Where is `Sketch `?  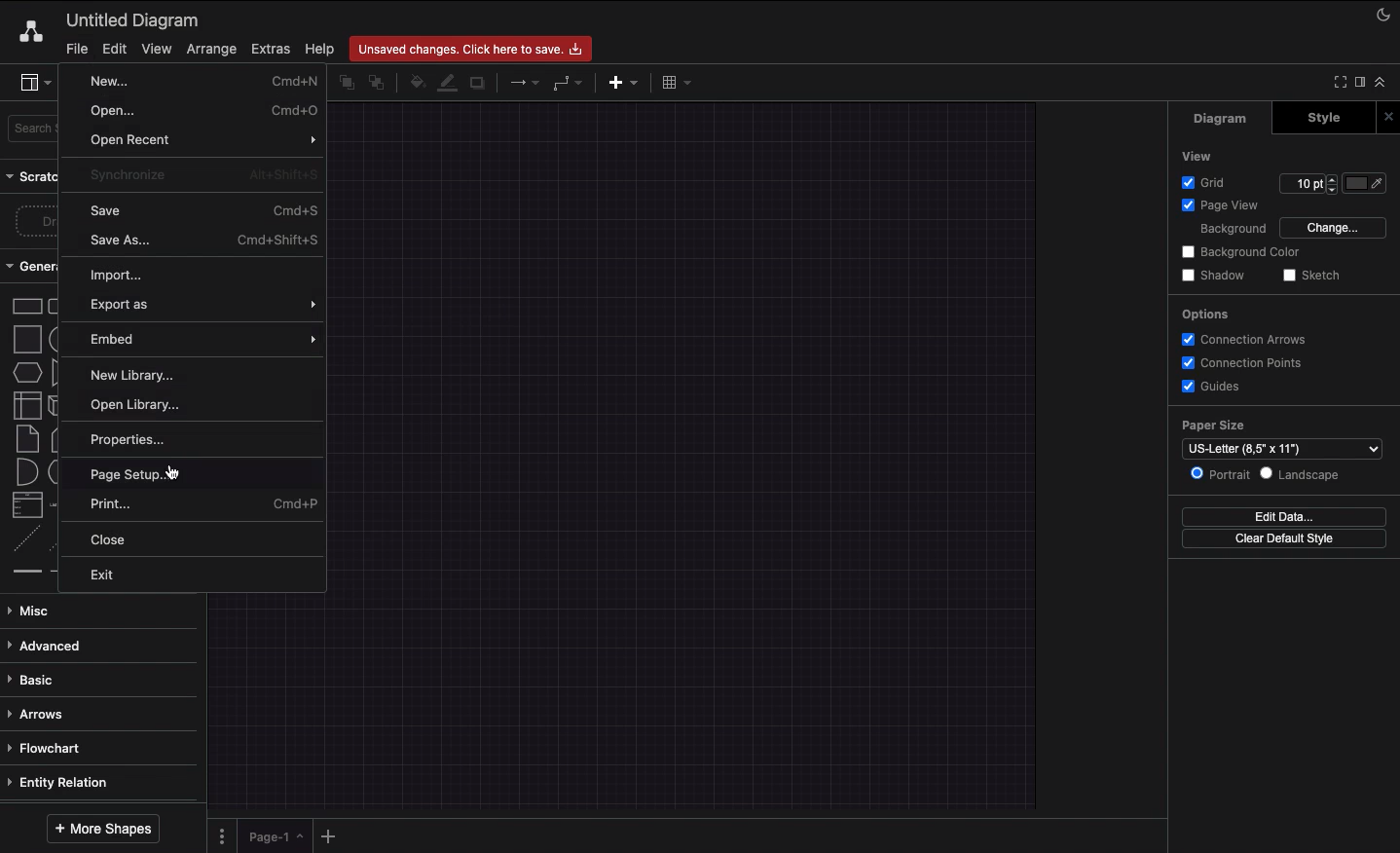
Sketch  is located at coordinates (1312, 277).